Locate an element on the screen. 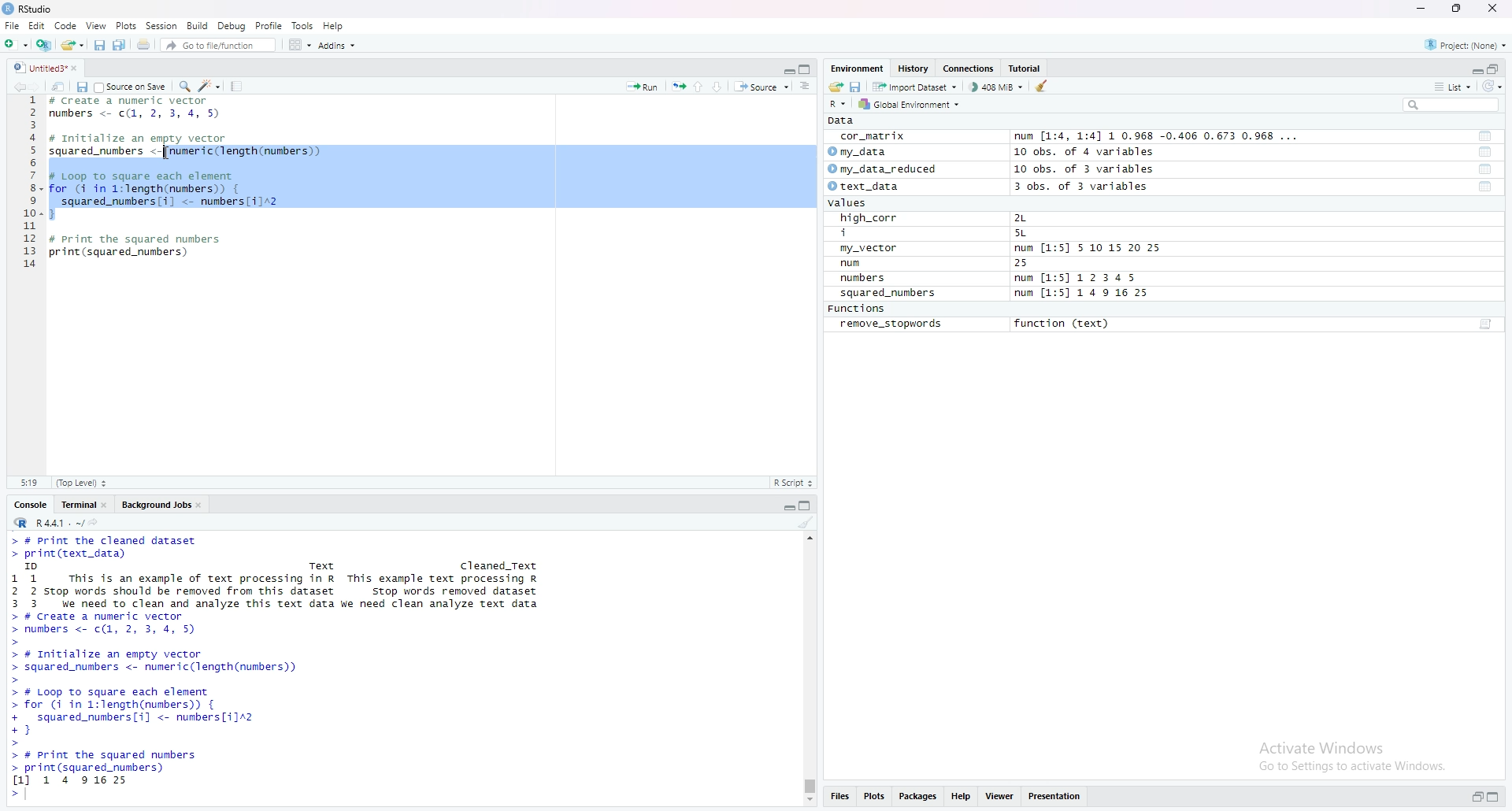  # Create a number vector numbers <- c(1, 2, 3, 4,5) is located at coordinates (139, 108).